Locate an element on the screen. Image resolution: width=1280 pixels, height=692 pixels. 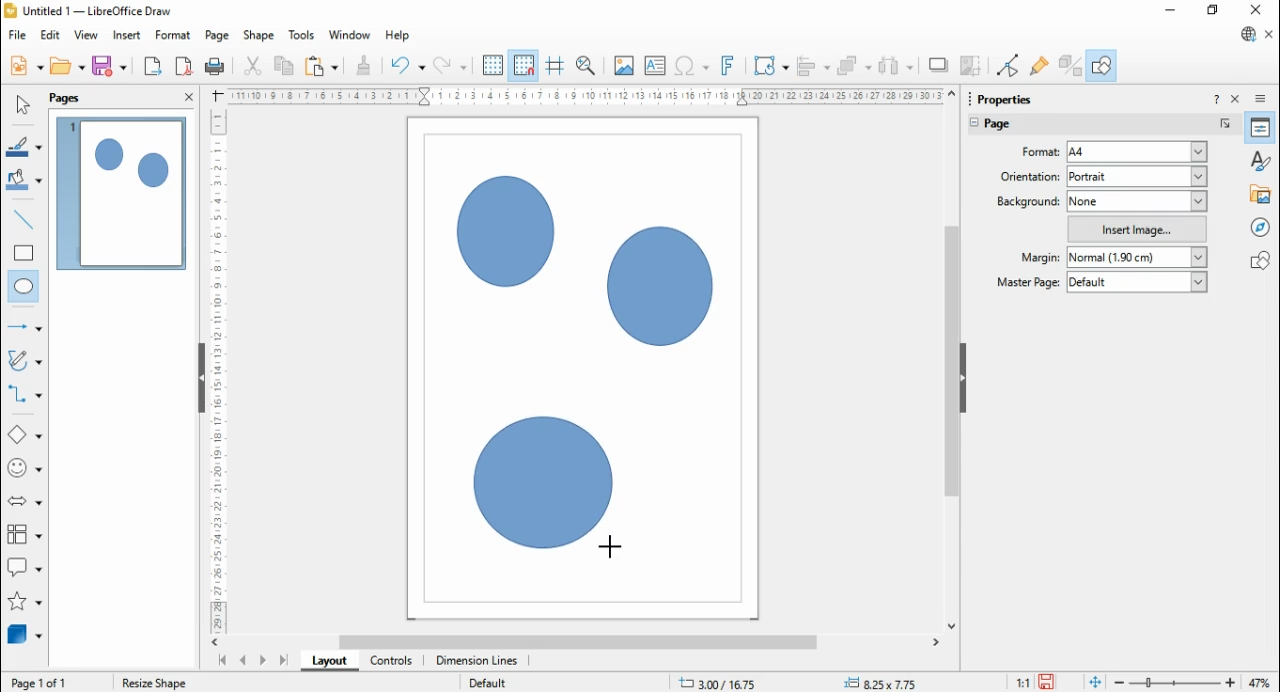
Cursor is located at coordinates (610, 548).